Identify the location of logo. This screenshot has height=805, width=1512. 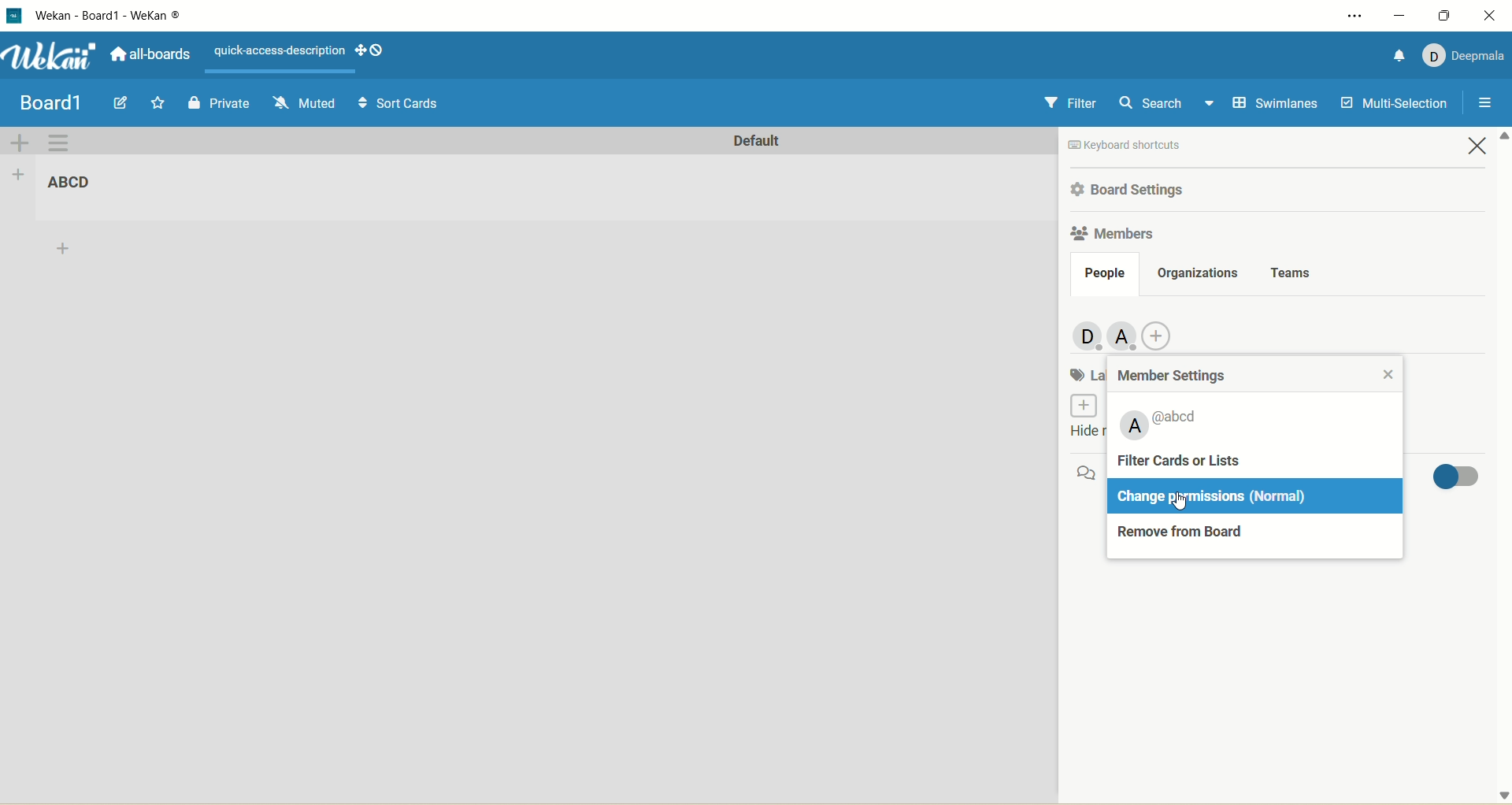
(17, 16).